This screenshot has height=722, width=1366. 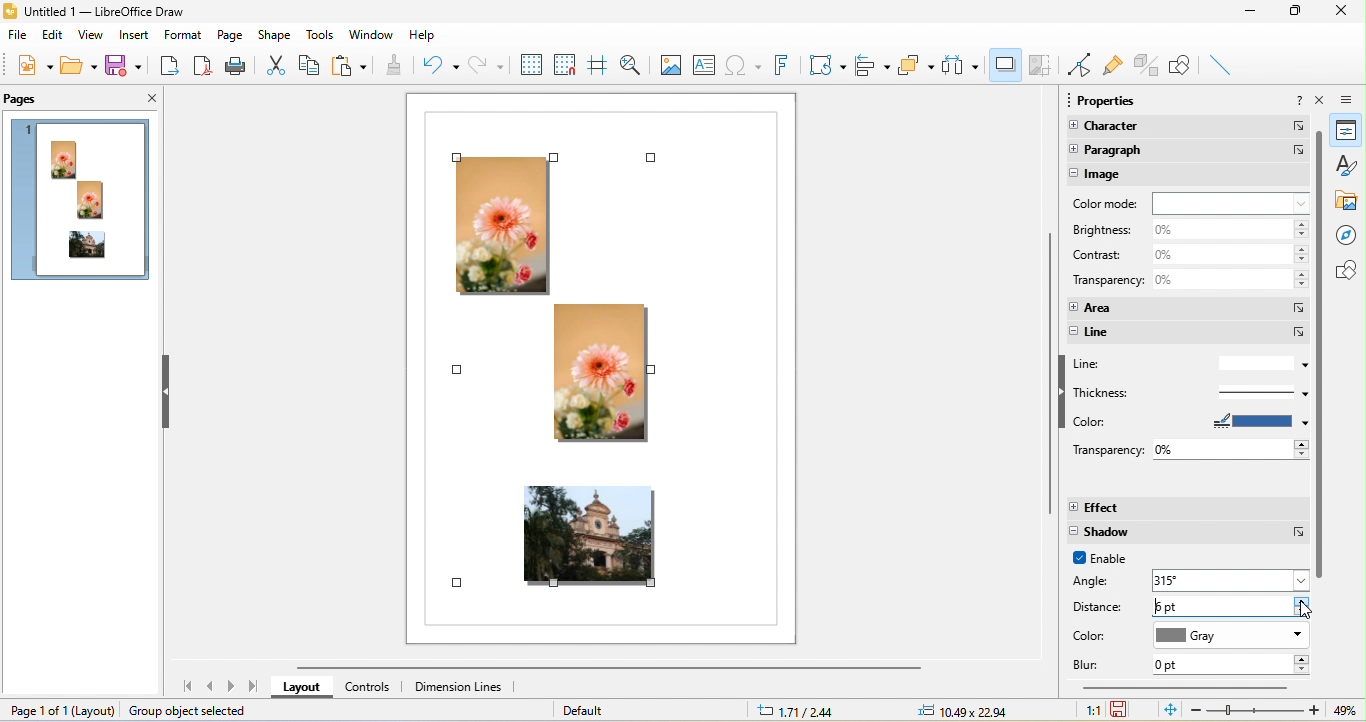 What do you see at coordinates (423, 34) in the screenshot?
I see `help` at bounding box center [423, 34].